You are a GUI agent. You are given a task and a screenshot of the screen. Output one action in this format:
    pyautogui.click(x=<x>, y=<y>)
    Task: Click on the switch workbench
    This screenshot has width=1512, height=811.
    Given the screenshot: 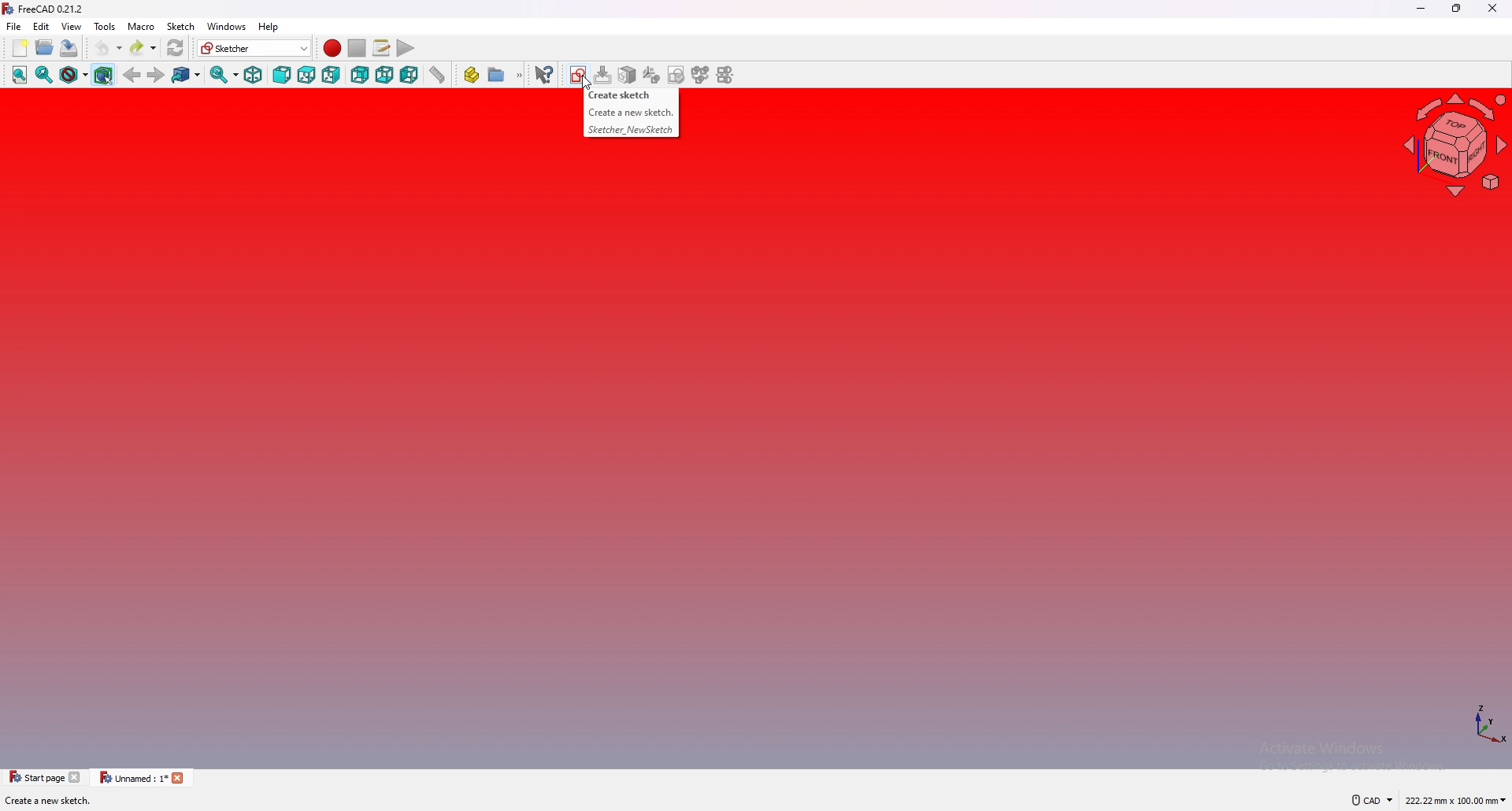 What is the action you would take?
    pyautogui.click(x=255, y=47)
    